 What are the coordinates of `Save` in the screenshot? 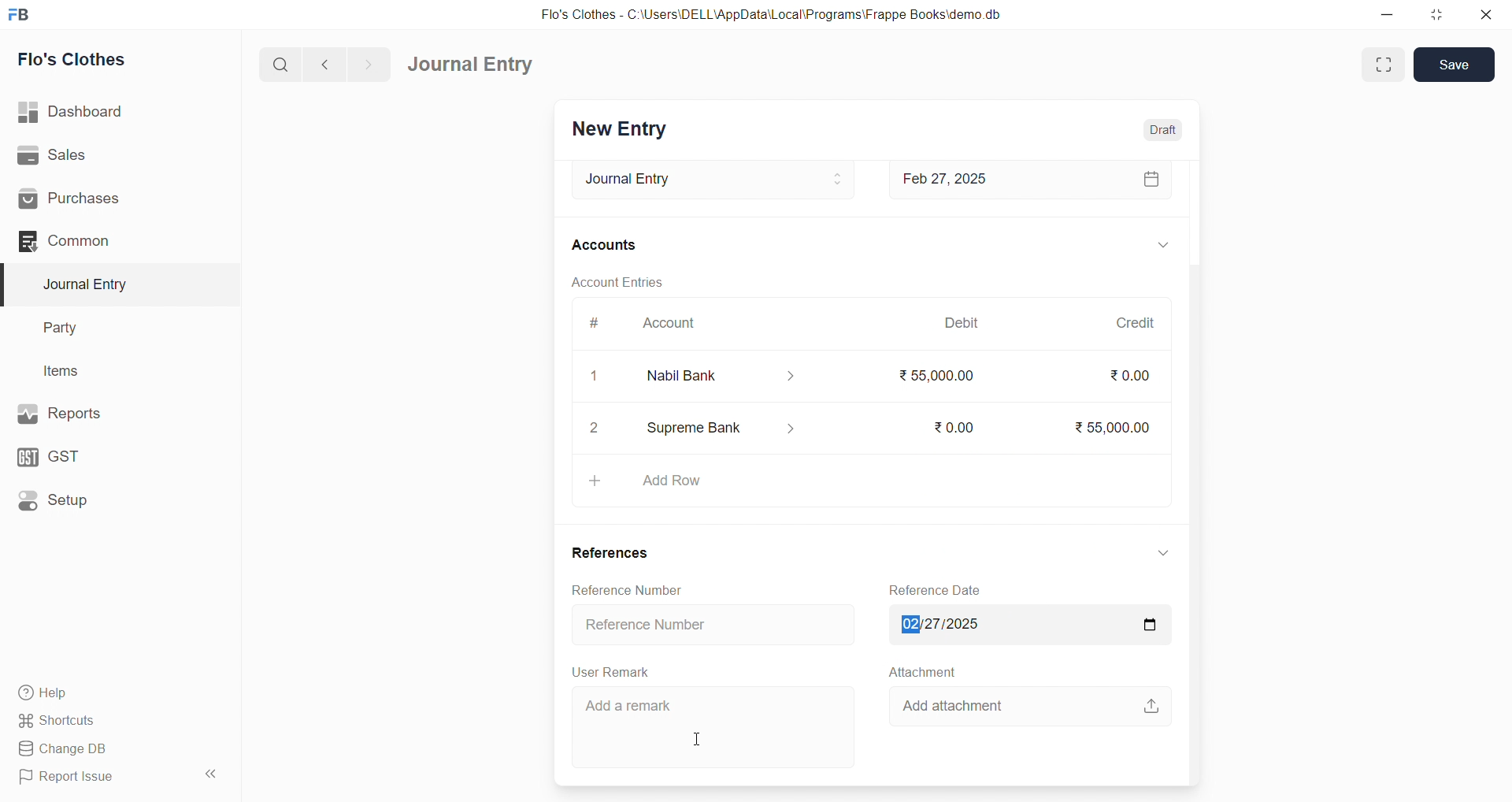 It's located at (1455, 65).